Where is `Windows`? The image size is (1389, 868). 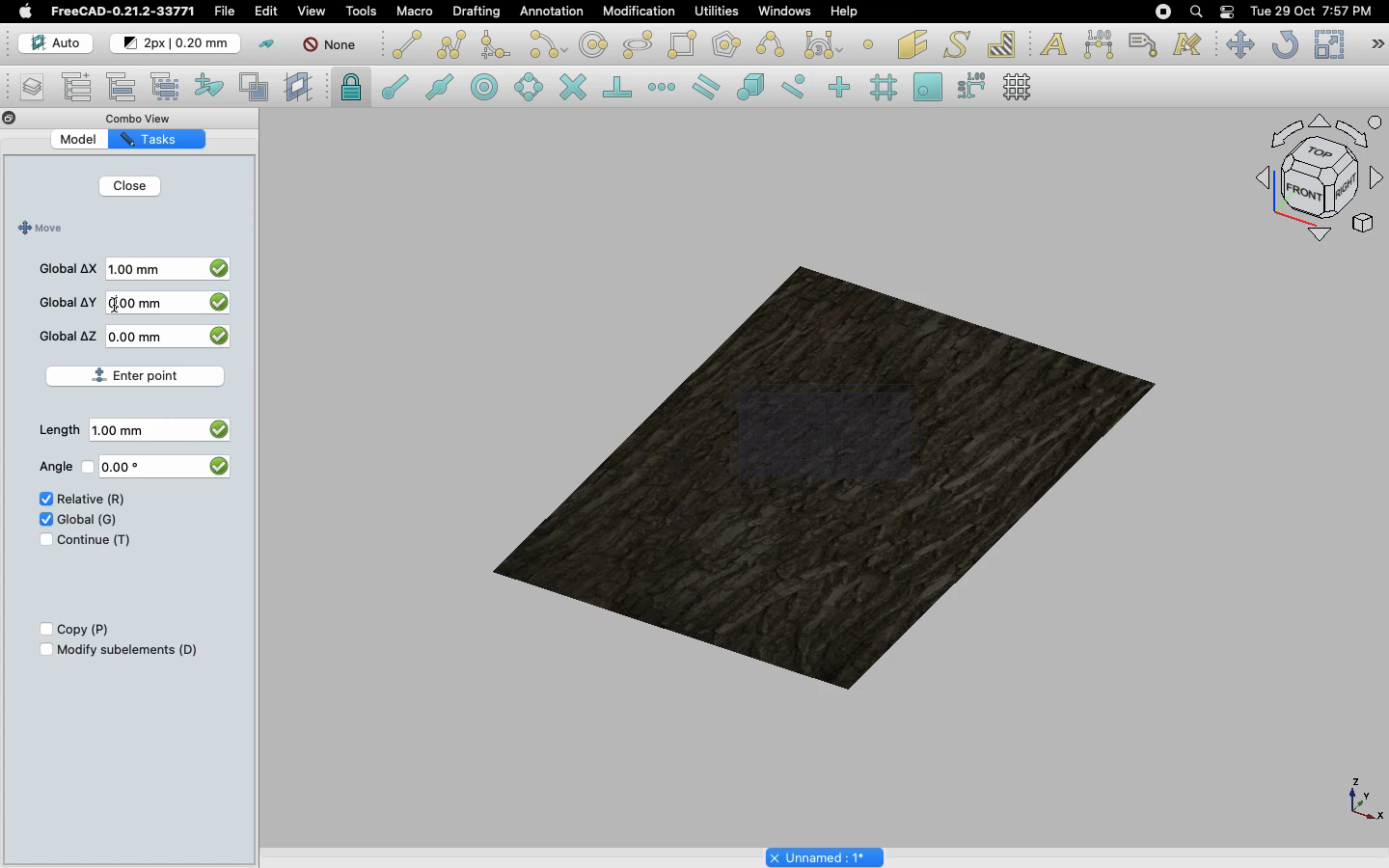 Windows is located at coordinates (789, 14).